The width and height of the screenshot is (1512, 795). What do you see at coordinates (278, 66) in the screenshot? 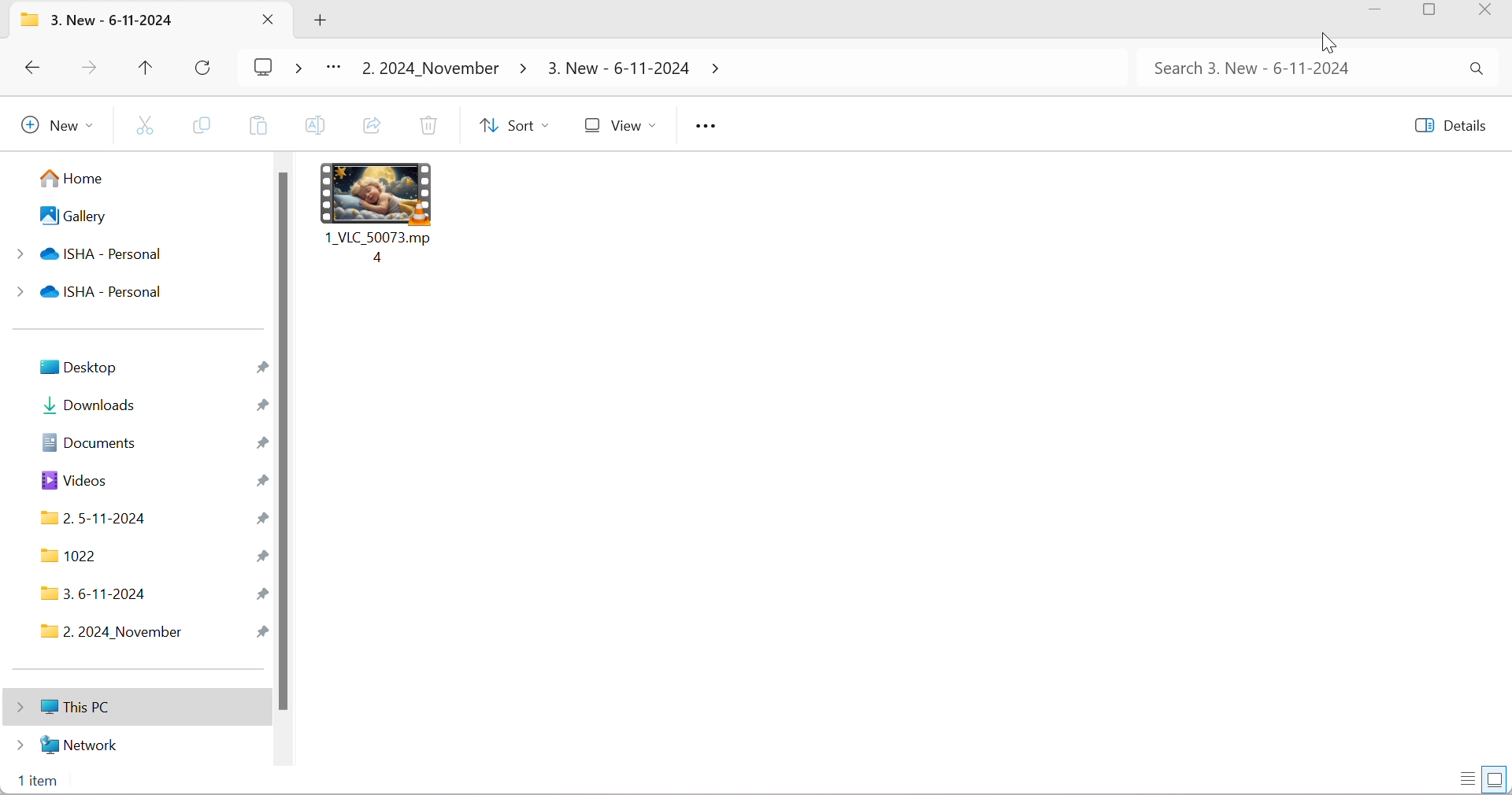
I see `Icon` at bounding box center [278, 66].